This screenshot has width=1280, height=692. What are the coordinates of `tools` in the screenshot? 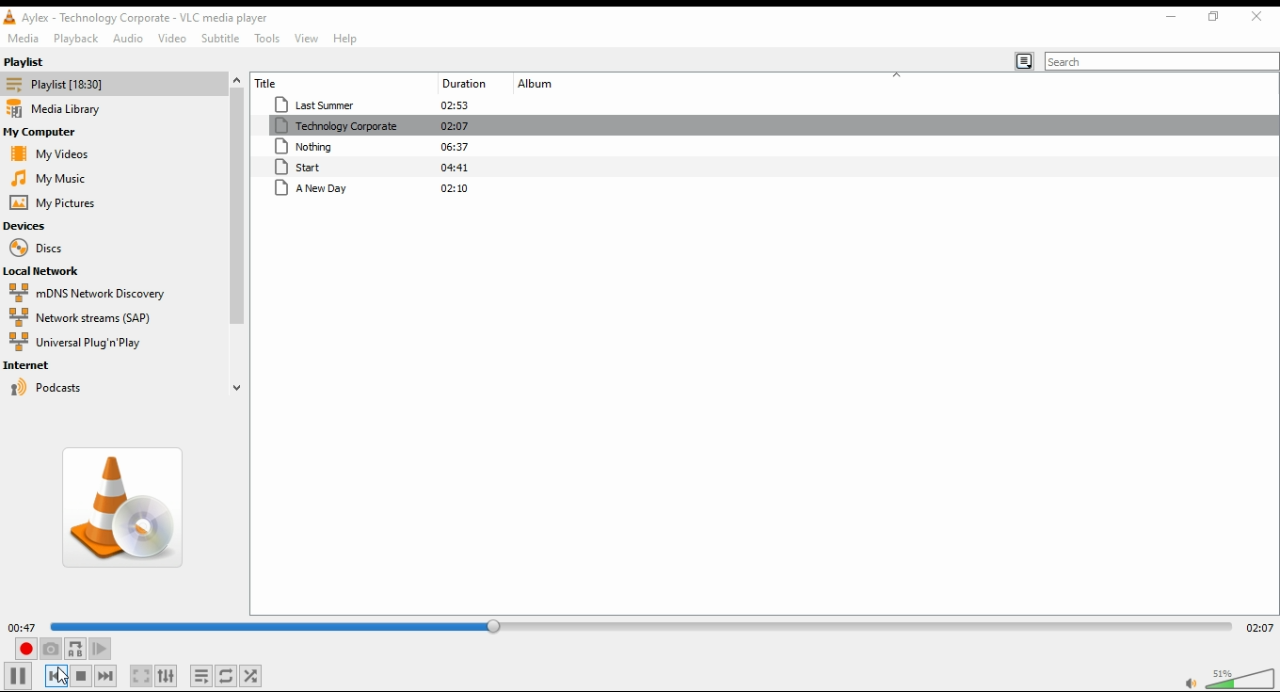 It's located at (267, 37).